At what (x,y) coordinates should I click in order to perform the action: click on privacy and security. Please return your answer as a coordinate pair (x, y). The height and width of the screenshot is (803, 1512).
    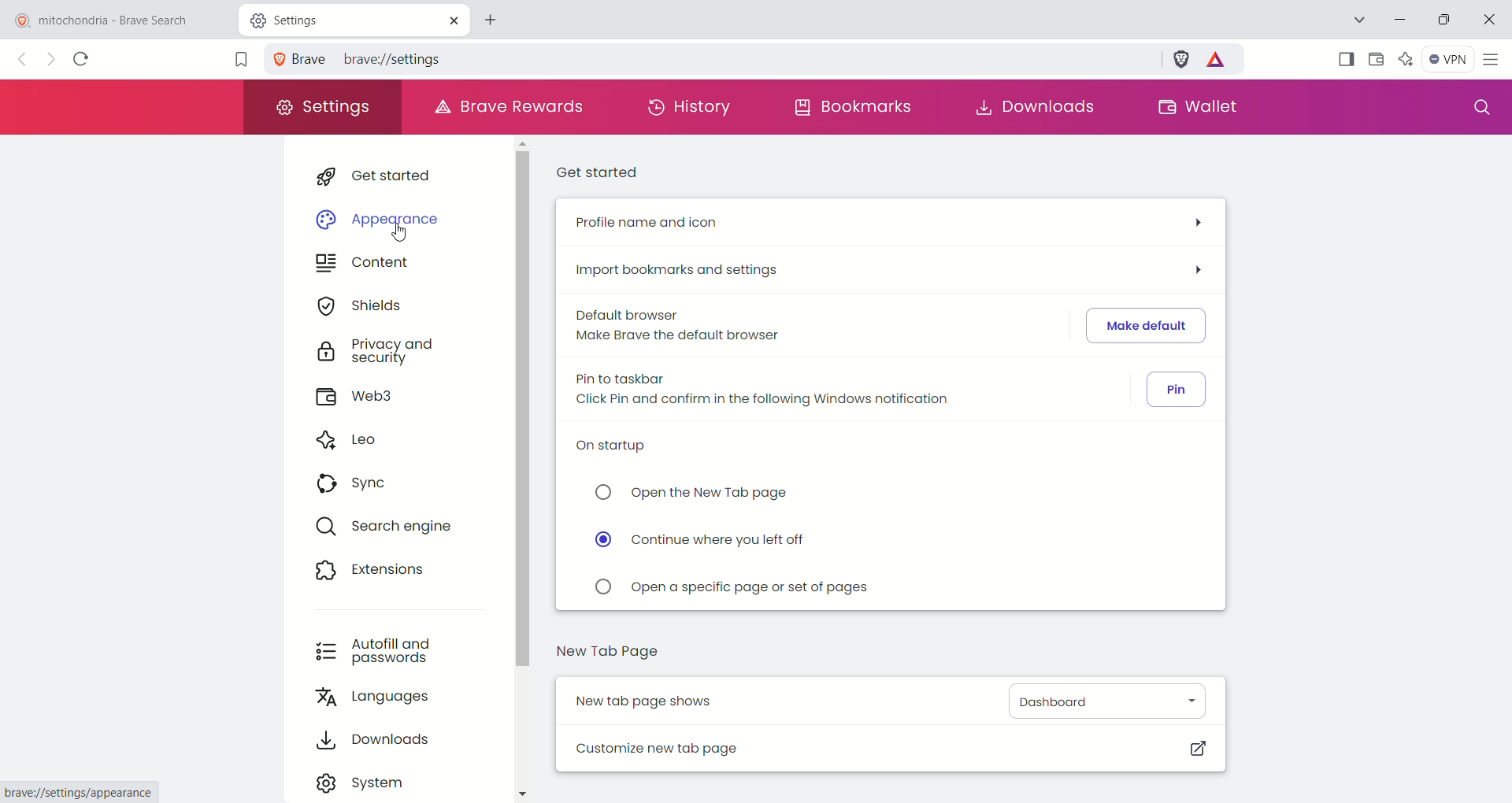
    Looking at the image, I should click on (372, 352).